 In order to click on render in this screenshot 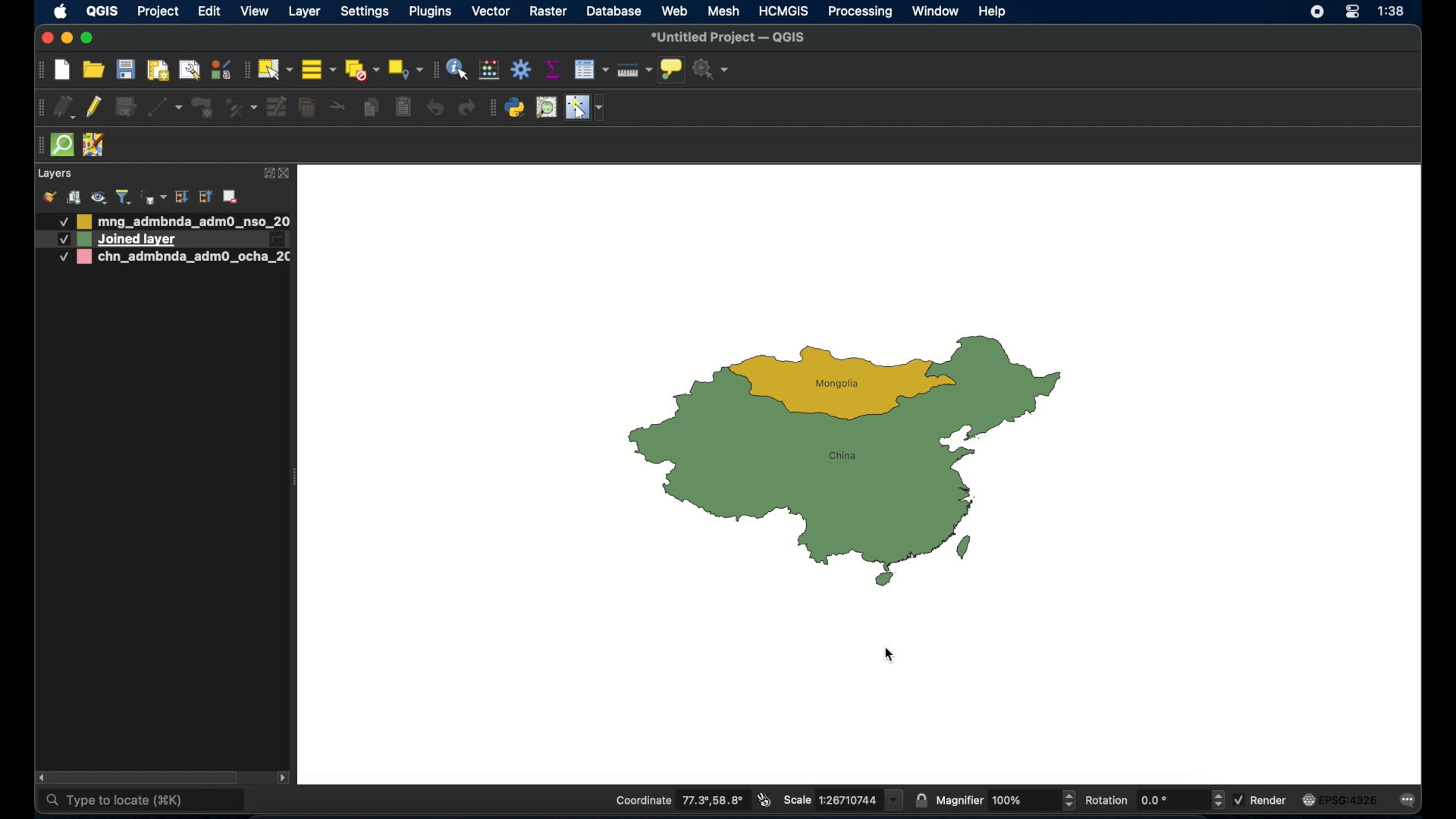, I will do `click(1260, 799)`.